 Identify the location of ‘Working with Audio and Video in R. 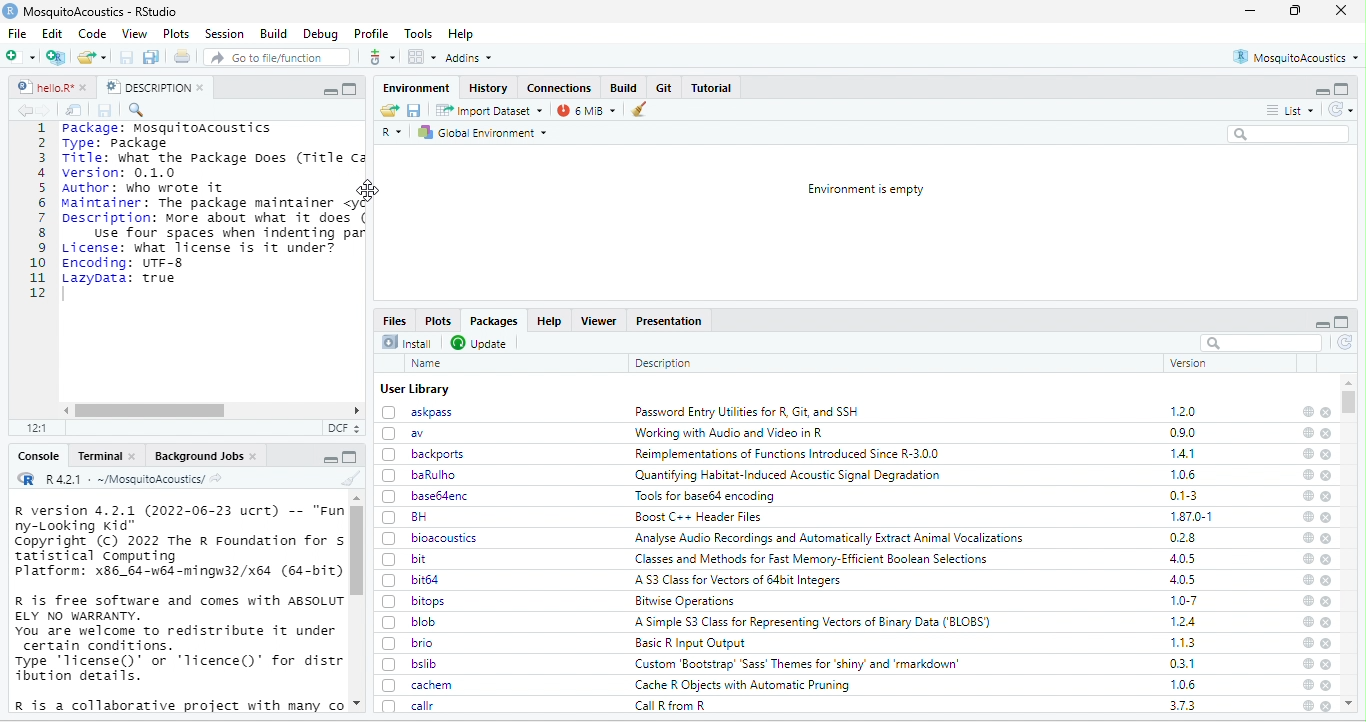
(732, 431).